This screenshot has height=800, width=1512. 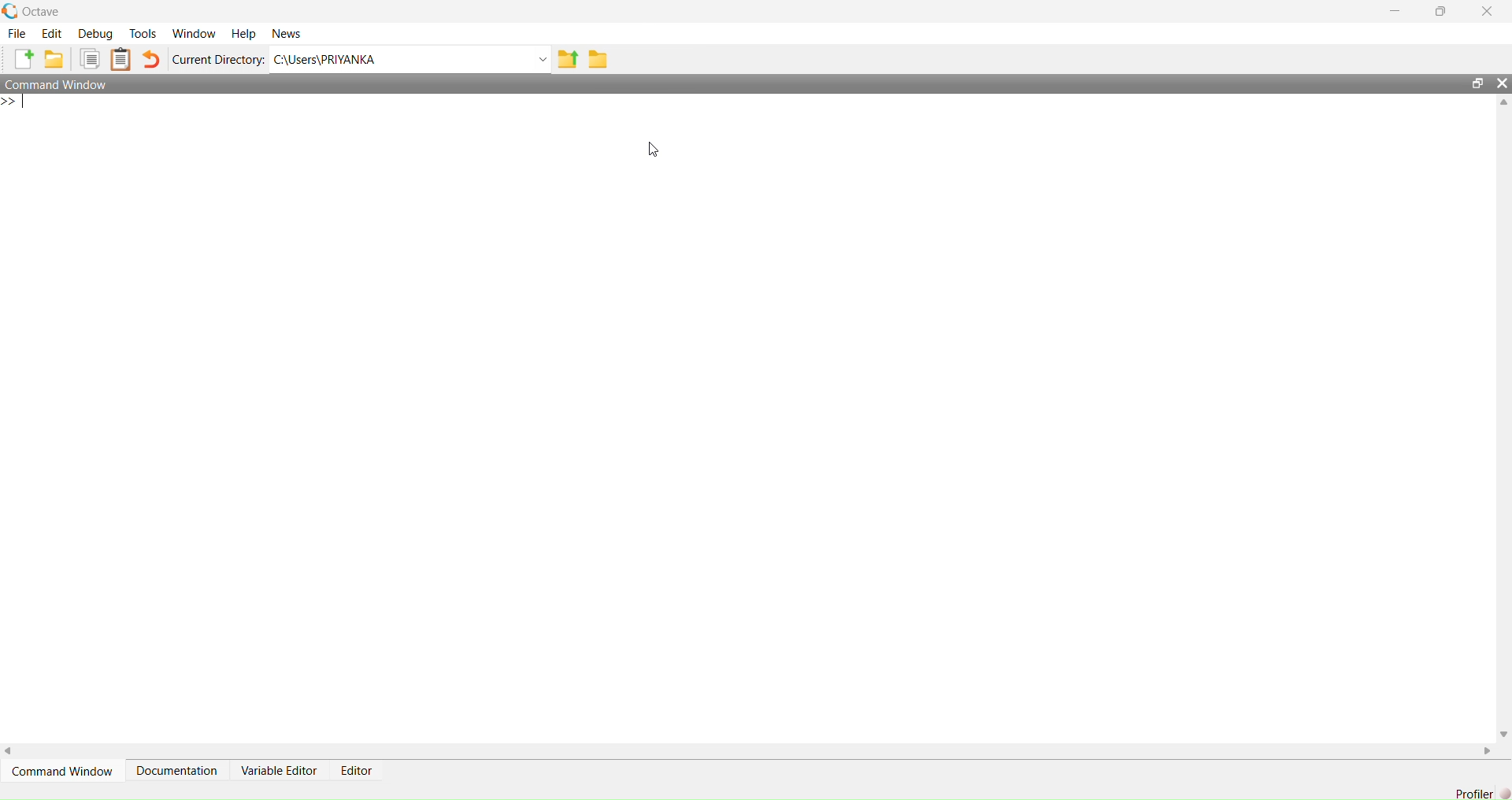 I want to click on Octave, so click(x=43, y=13).